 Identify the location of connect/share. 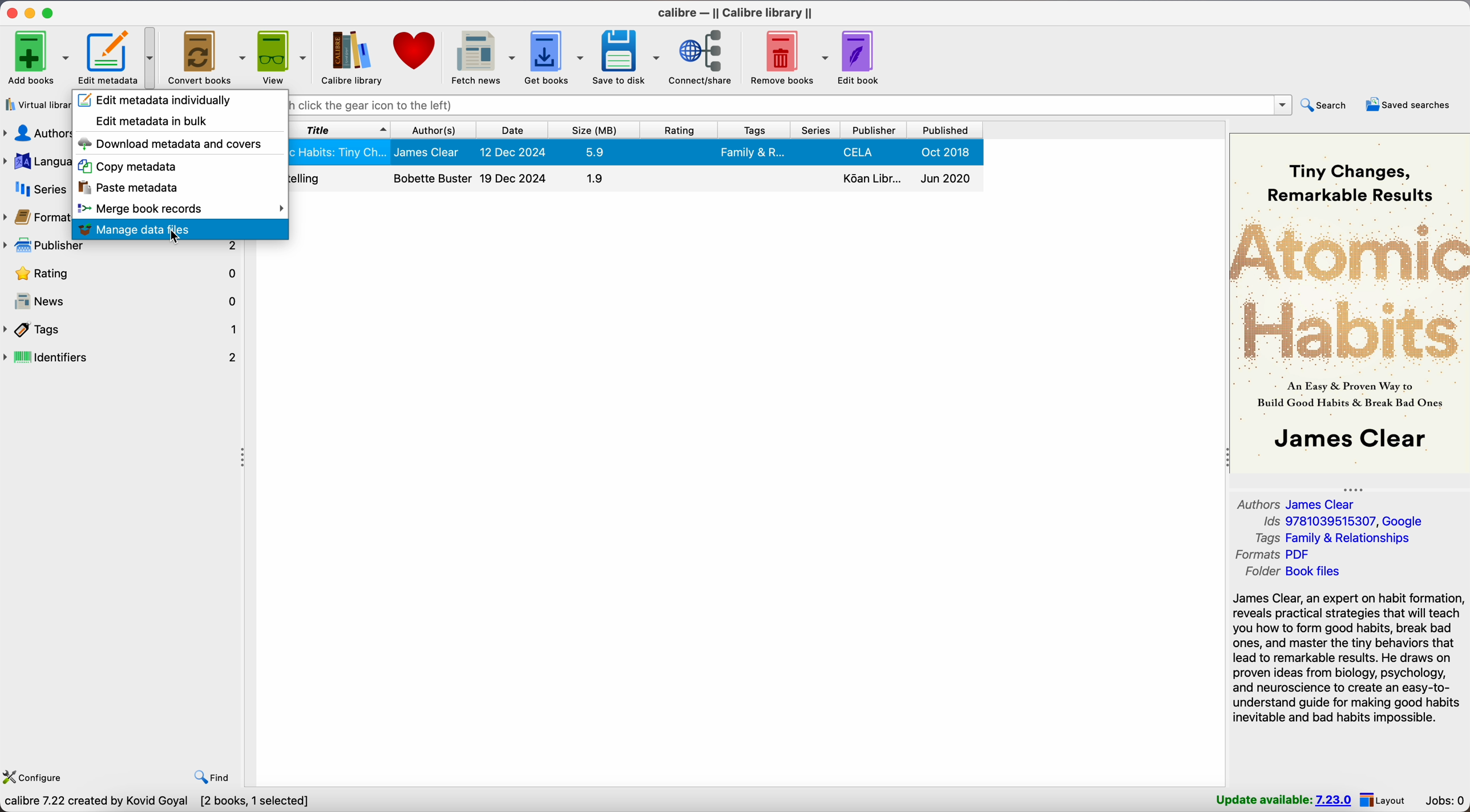
(704, 58).